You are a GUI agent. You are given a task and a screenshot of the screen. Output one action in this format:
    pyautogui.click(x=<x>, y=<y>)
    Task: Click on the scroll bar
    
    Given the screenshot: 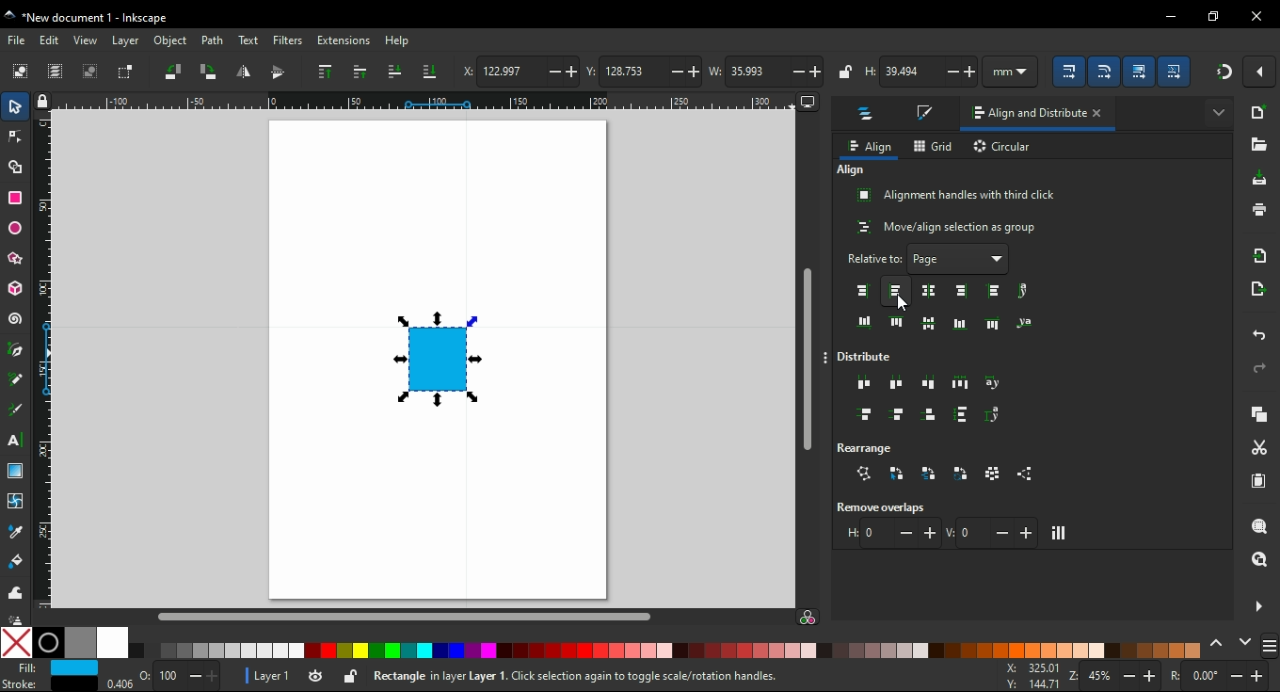 What is the action you would take?
    pyautogui.click(x=808, y=359)
    